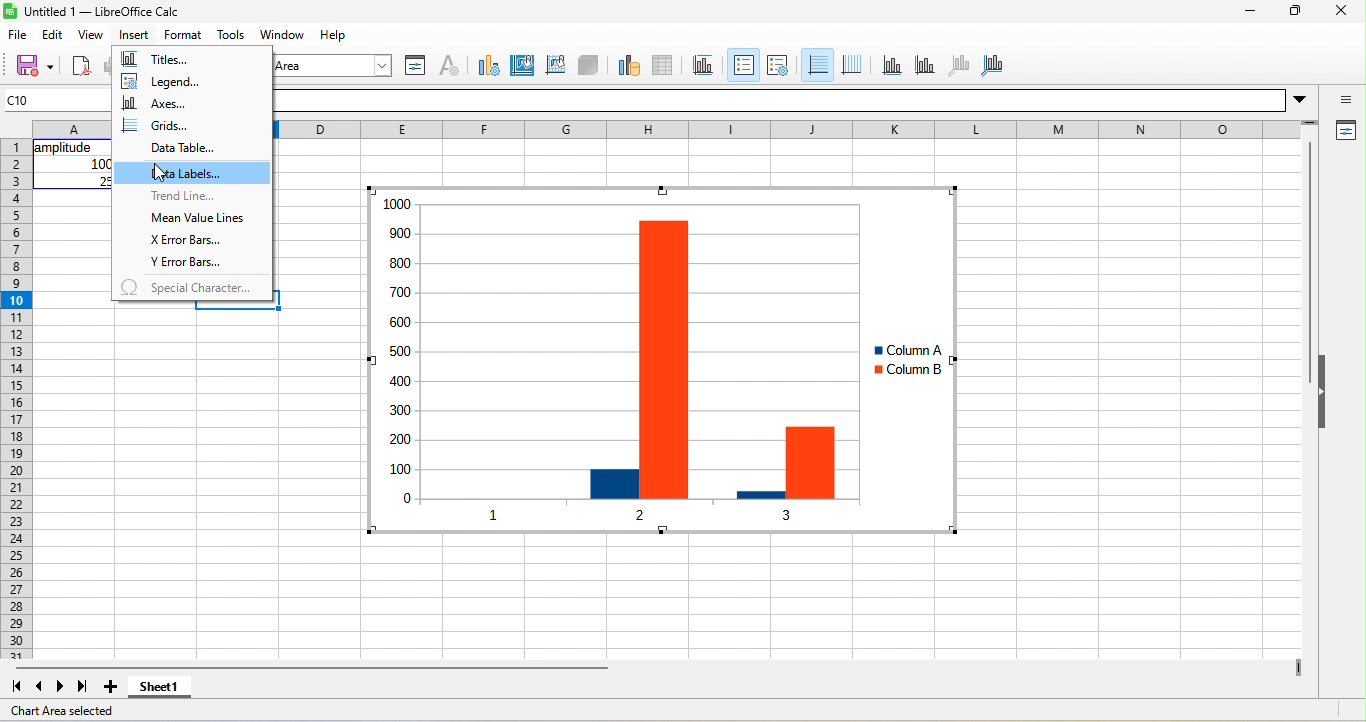  Describe the element at coordinates (168, 688) in the screenshot. I see `sheet1` at that location.